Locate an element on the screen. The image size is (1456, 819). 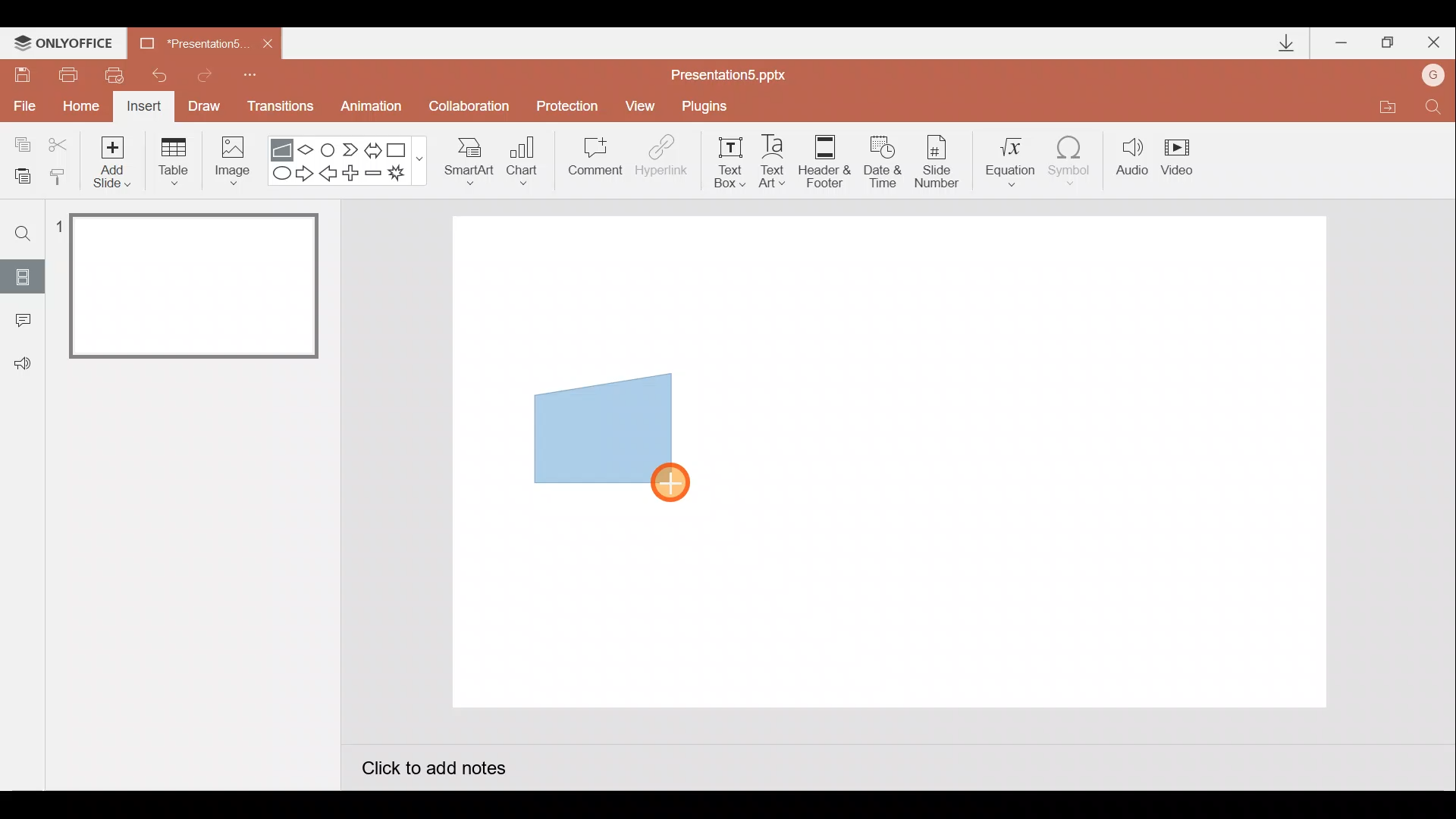
Slide number is located at coordinates (941, 162).